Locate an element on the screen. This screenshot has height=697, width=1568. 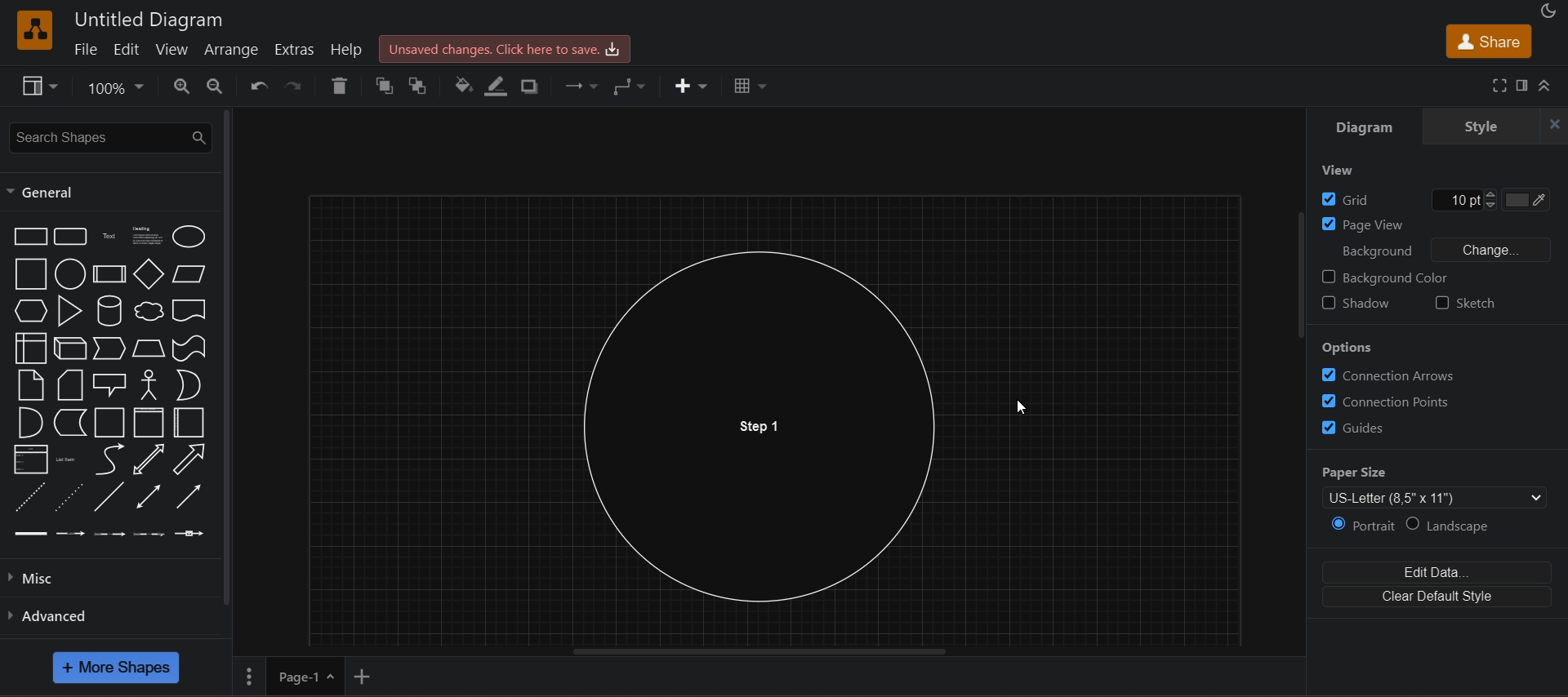
ellipse is located at coordinates (191, 237).